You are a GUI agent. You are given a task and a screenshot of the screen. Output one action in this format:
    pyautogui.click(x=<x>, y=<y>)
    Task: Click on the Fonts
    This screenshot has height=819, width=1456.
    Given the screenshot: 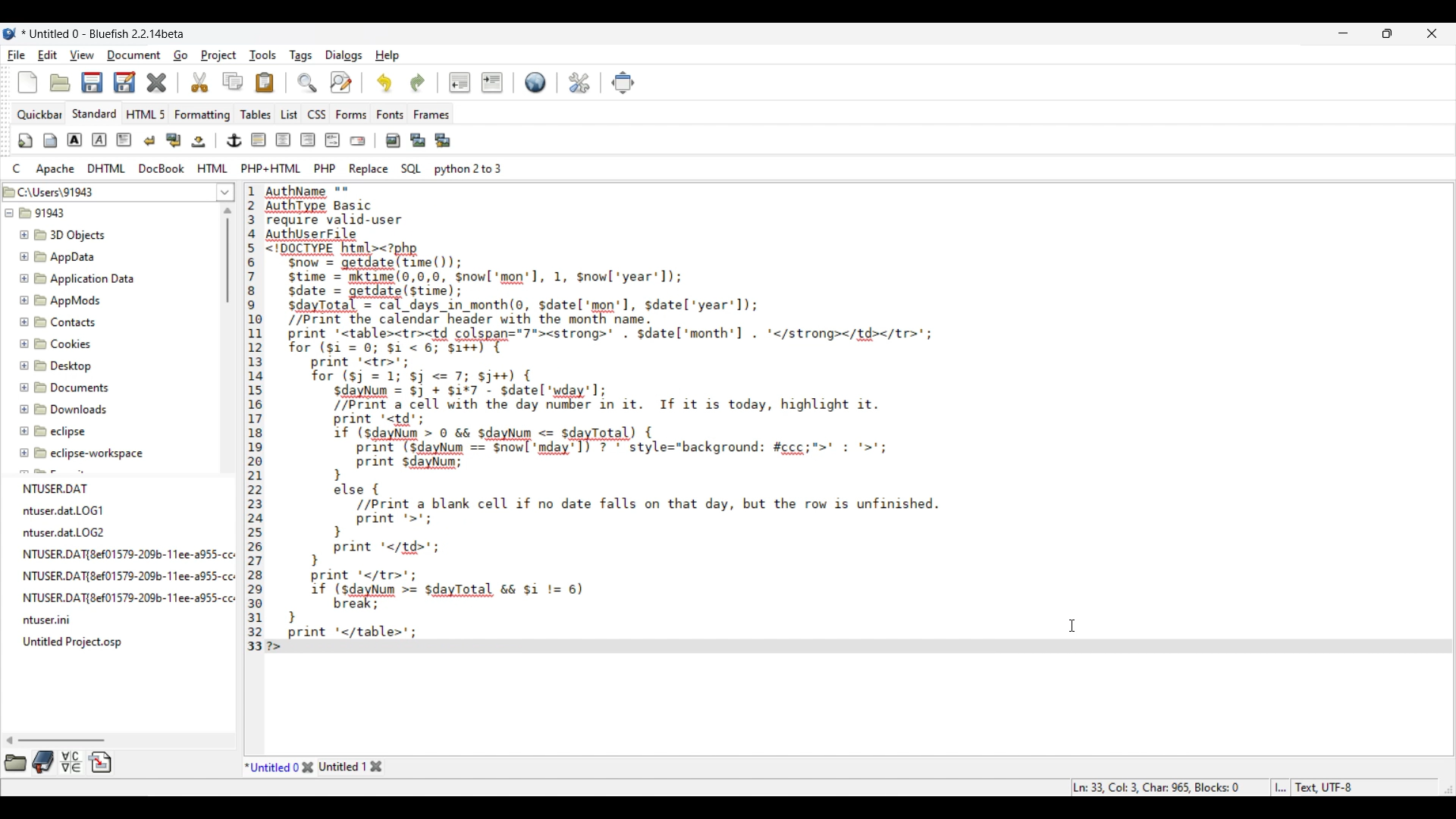 What is the action you would take?
    pyautogui.click(x=391, y=115)
    